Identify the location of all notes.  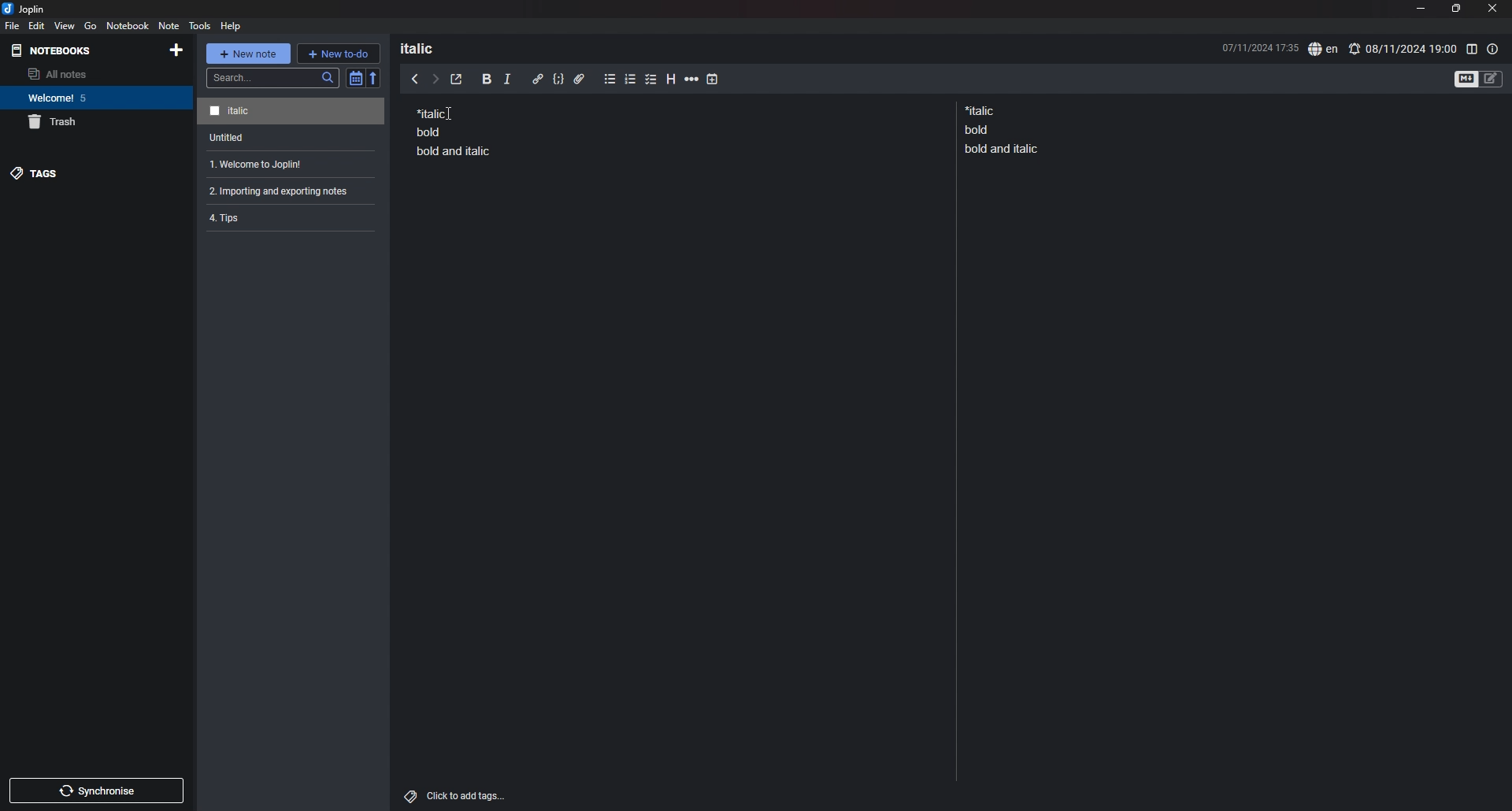
(92, 74).